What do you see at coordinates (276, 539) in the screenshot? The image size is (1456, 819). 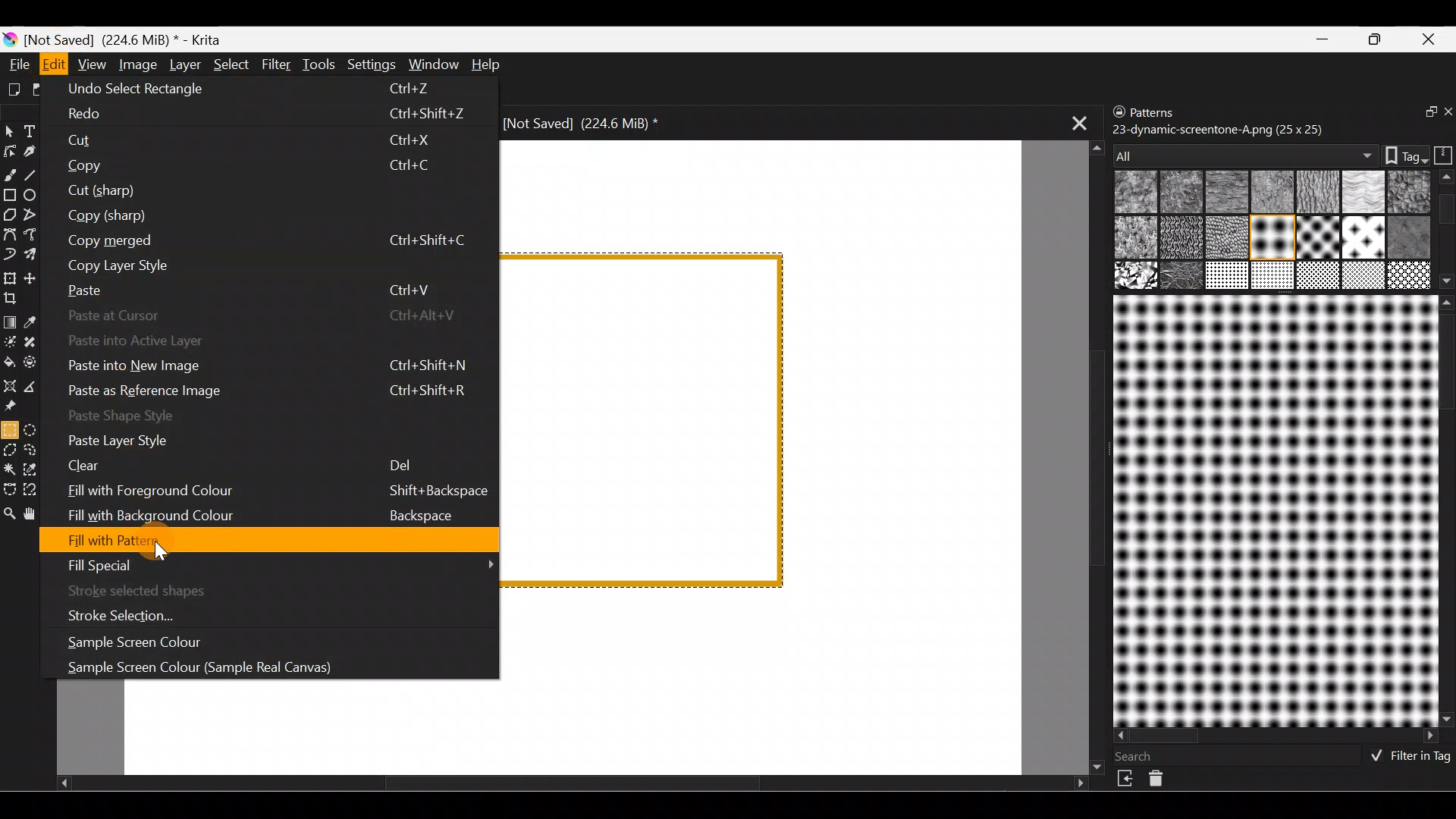 I see `Fill with pattern` at bounding box center [276, 539].